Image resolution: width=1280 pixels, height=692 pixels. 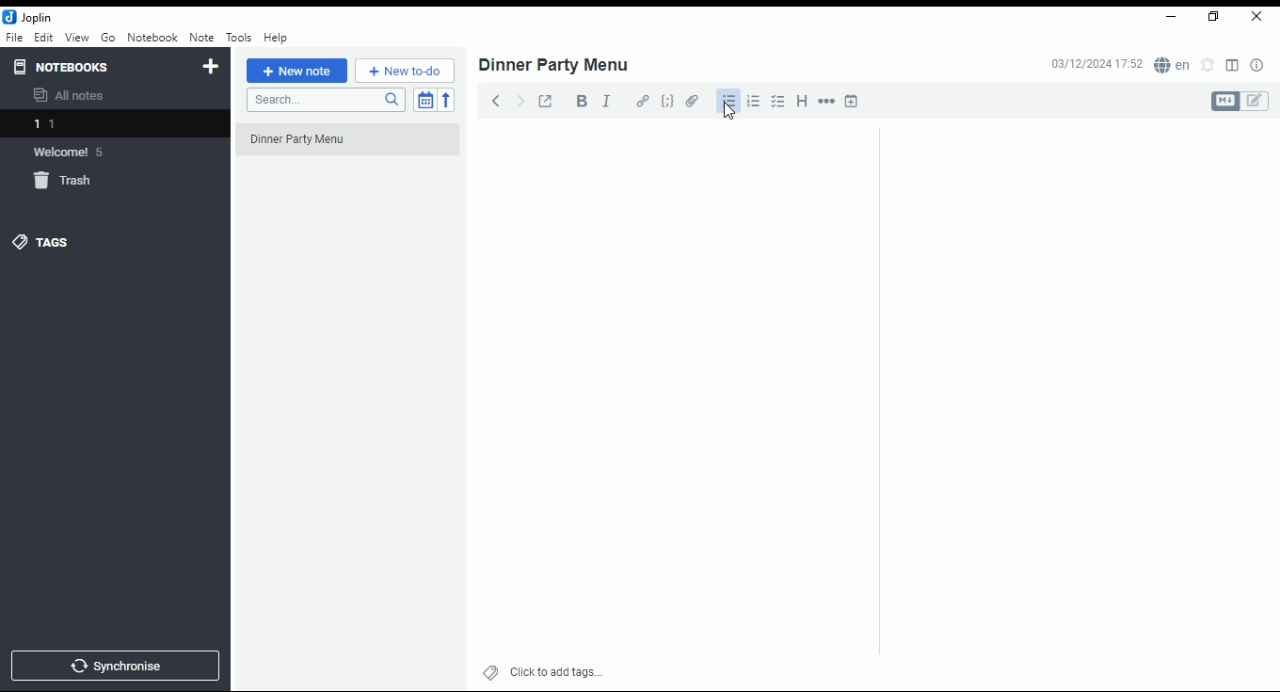 What do you see at coordinates (1213, 18) in the screenshot?
I see `maximize` at bounding box center [1213, 18].